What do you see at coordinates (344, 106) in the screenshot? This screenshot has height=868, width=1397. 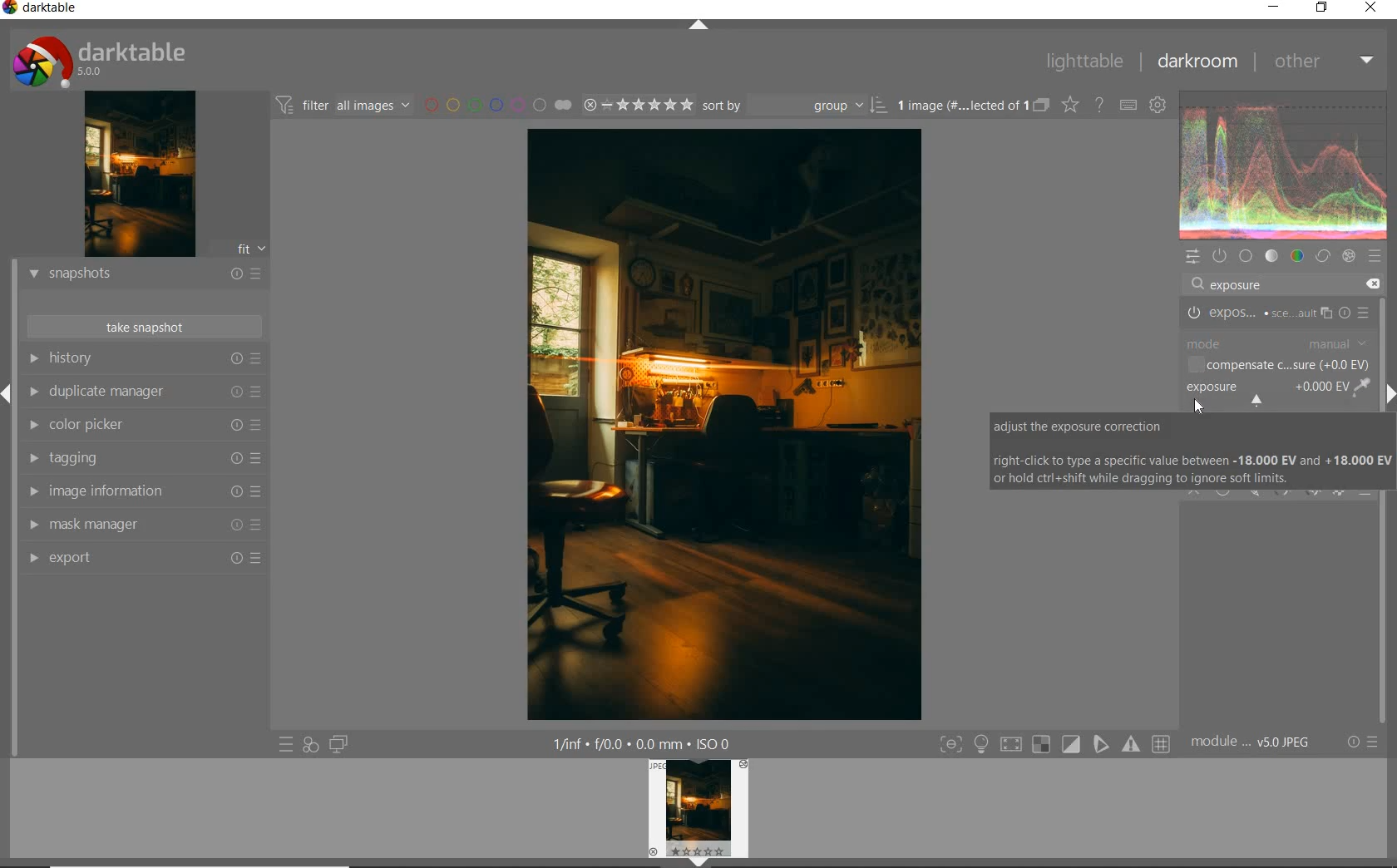 I see `filter images based on their modules` at bounding box center [344, 106].